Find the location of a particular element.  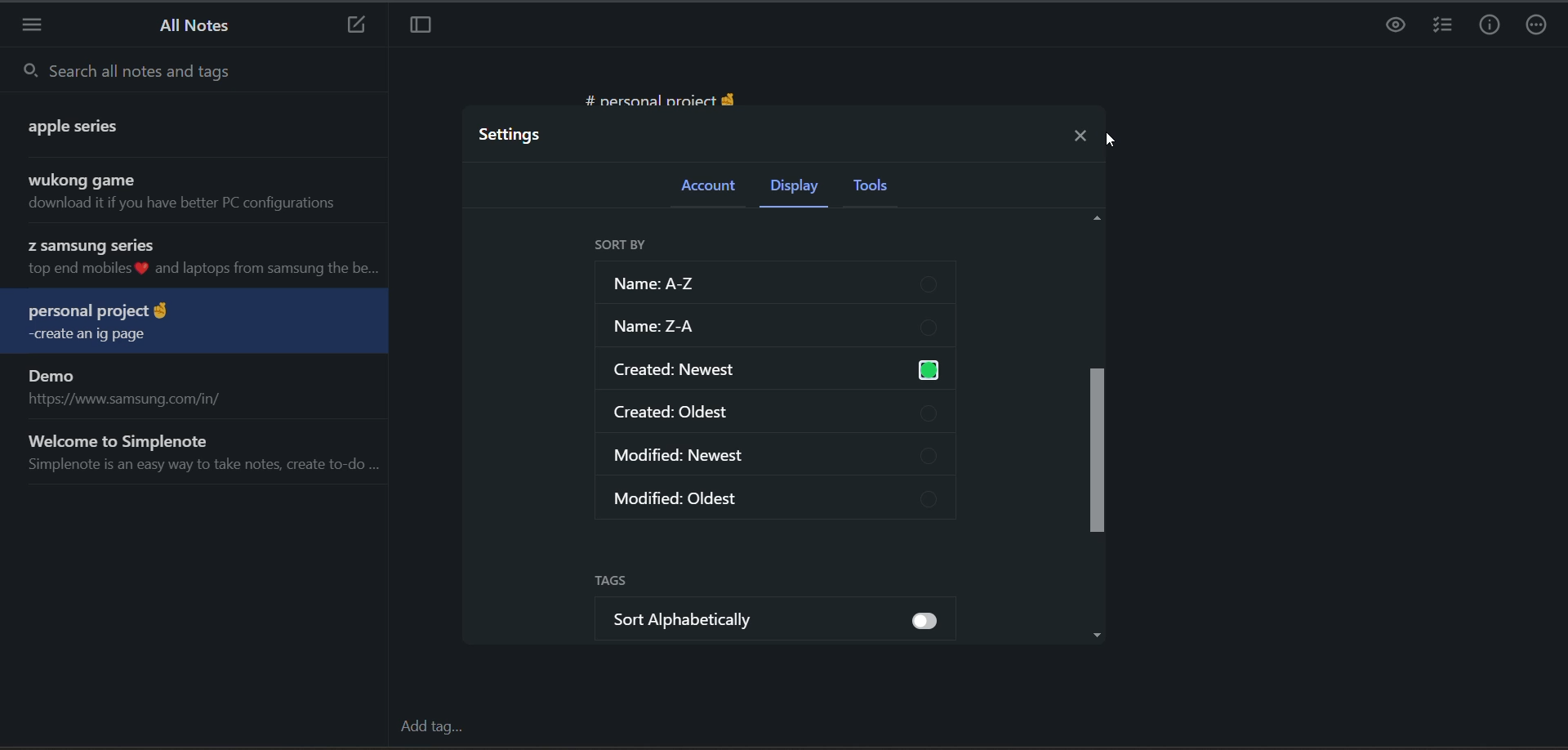

menu is located at coordinates (35, 29).